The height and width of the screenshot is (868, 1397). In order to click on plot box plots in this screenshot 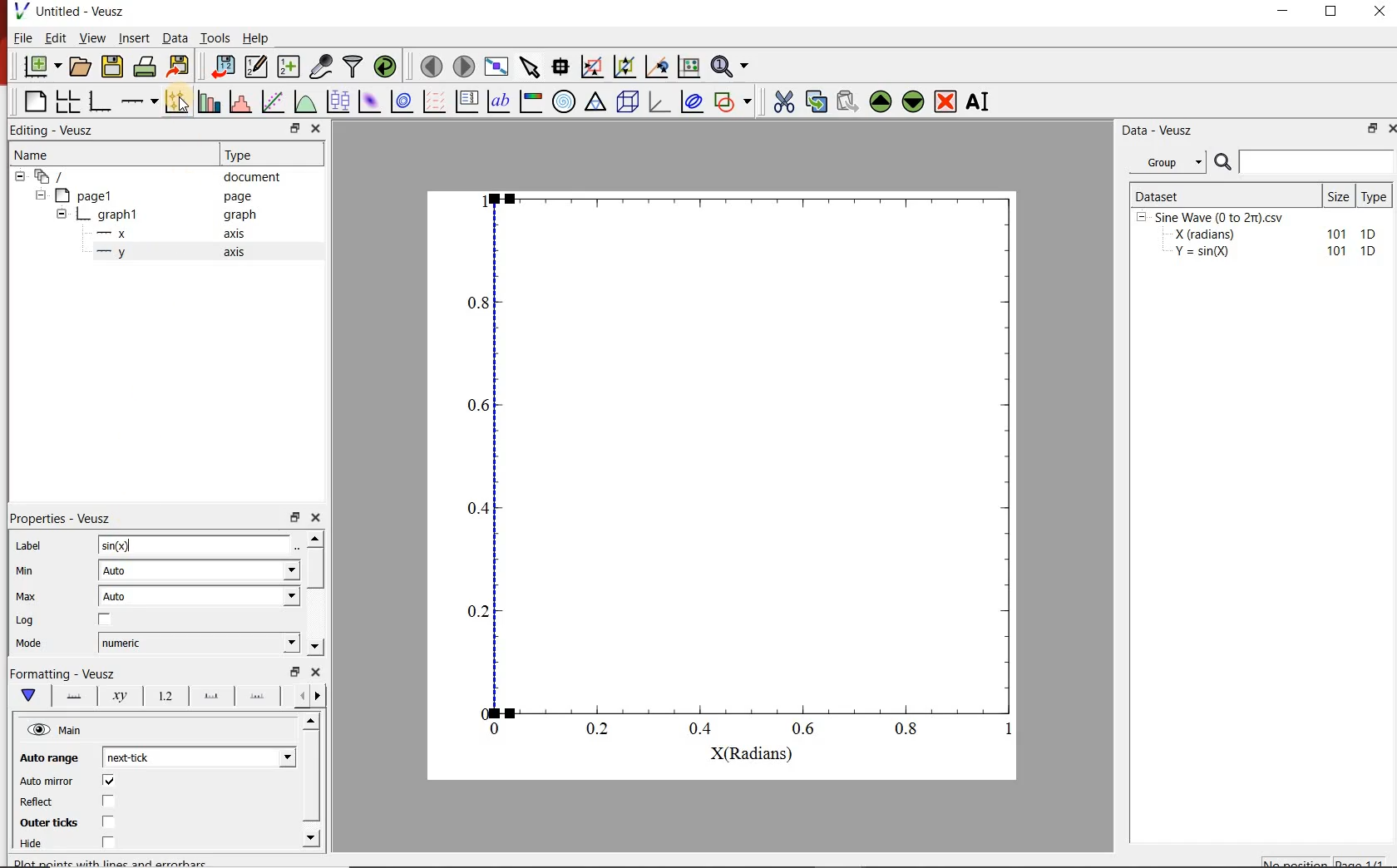, I will do `click(339, 102)`.